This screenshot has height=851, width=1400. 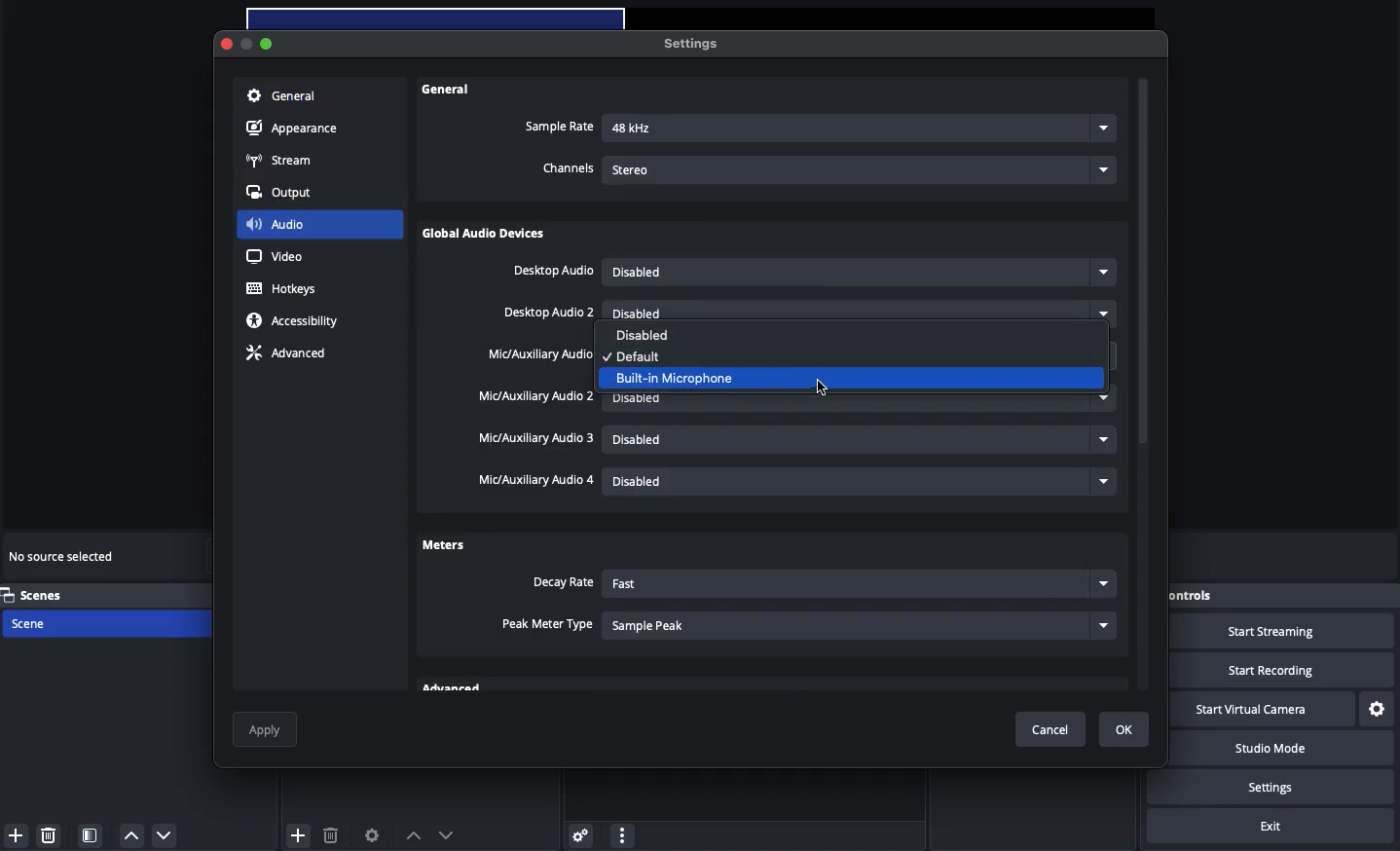 What do you see at coordinates (443, 543) in the screenshot?
I see `Meters` at bounding box center [443, 543].